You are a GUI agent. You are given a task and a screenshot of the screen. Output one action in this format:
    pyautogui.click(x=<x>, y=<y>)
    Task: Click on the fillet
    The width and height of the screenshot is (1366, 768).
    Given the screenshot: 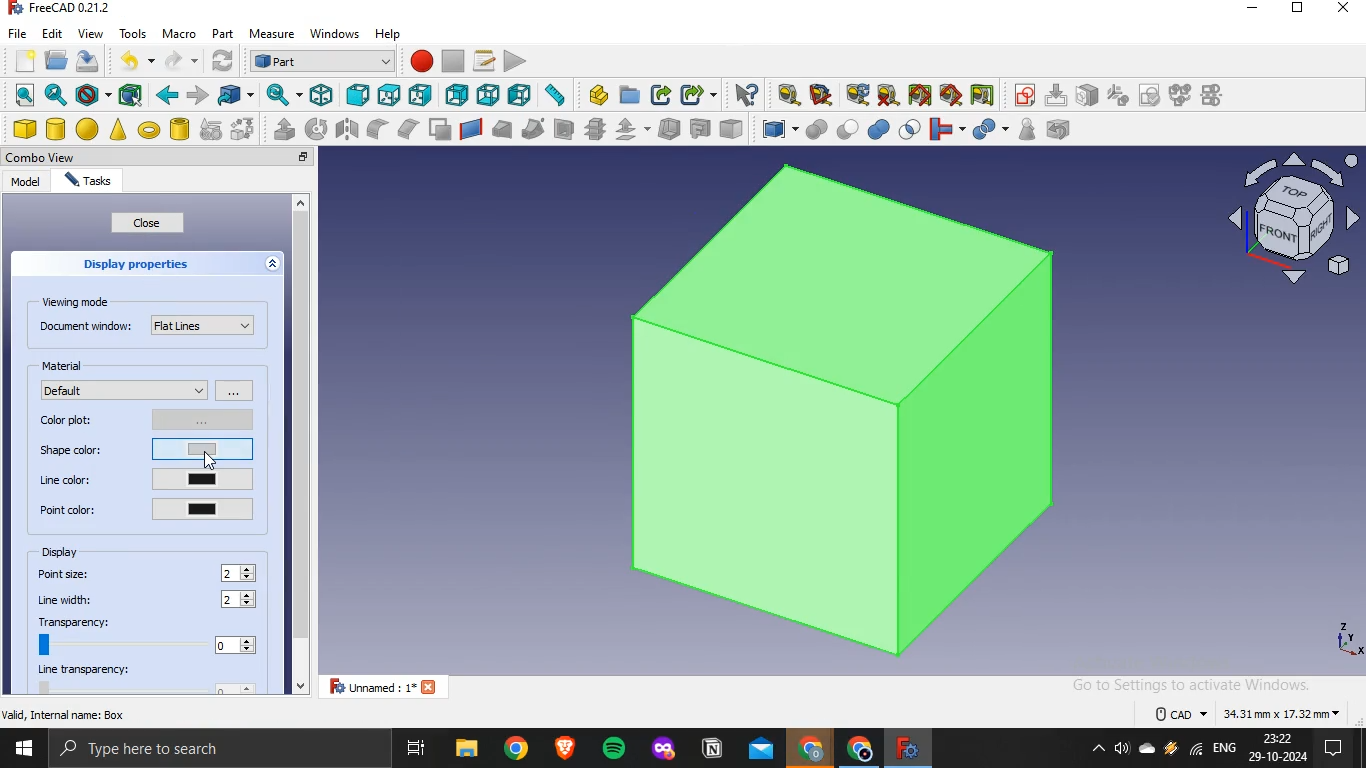 What is the action you would take?
    pyautogui.click(x=379, y=129)
    